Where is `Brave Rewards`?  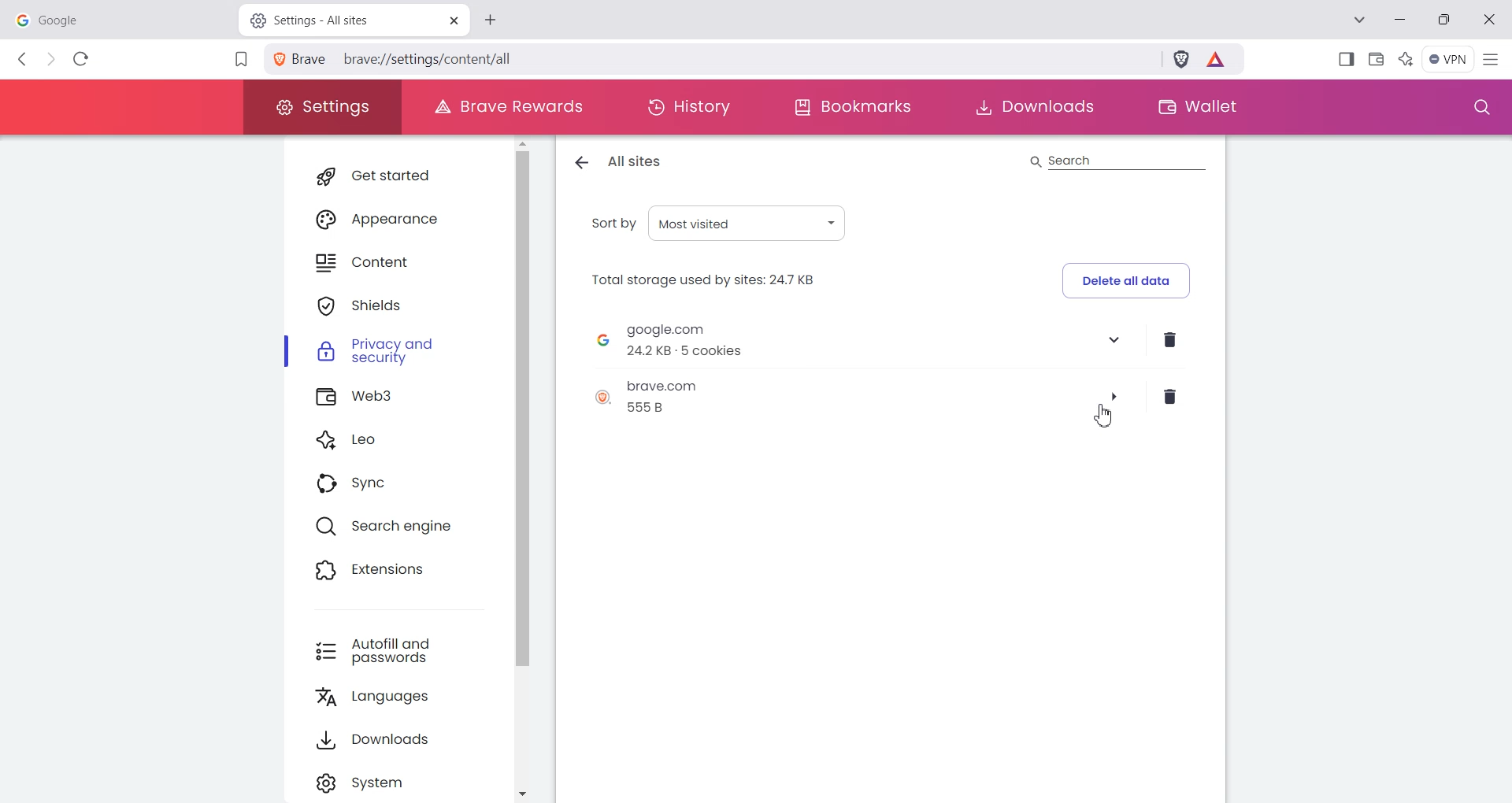
Brave Rewards is located at coordinates (504, 107).